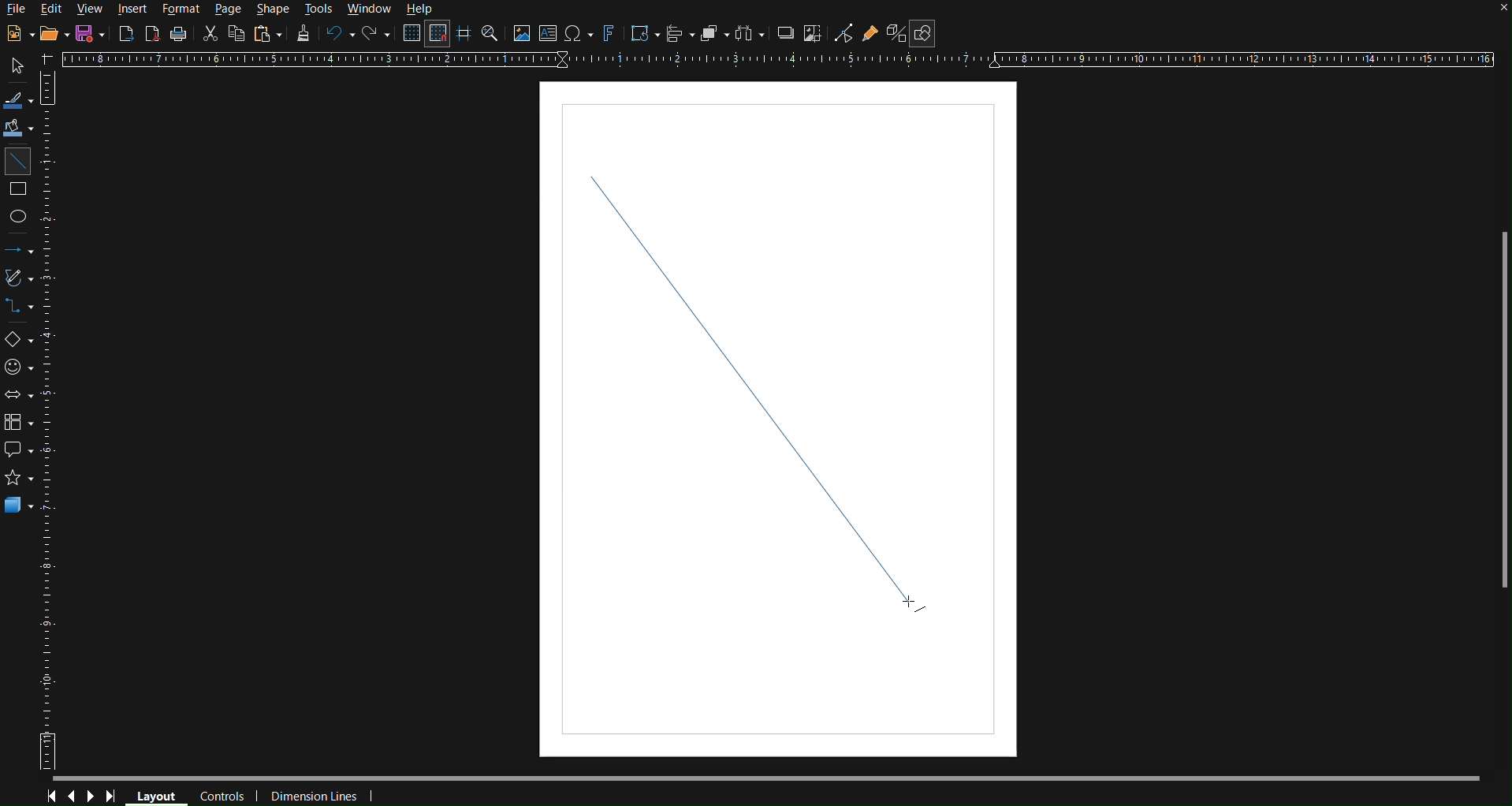 Image resolution: width=1512 pixels, height=806 pixels. What do you see at coordinates (266, 34) in the screenshot?
I see `Paste` at bounding box center [266, 34].